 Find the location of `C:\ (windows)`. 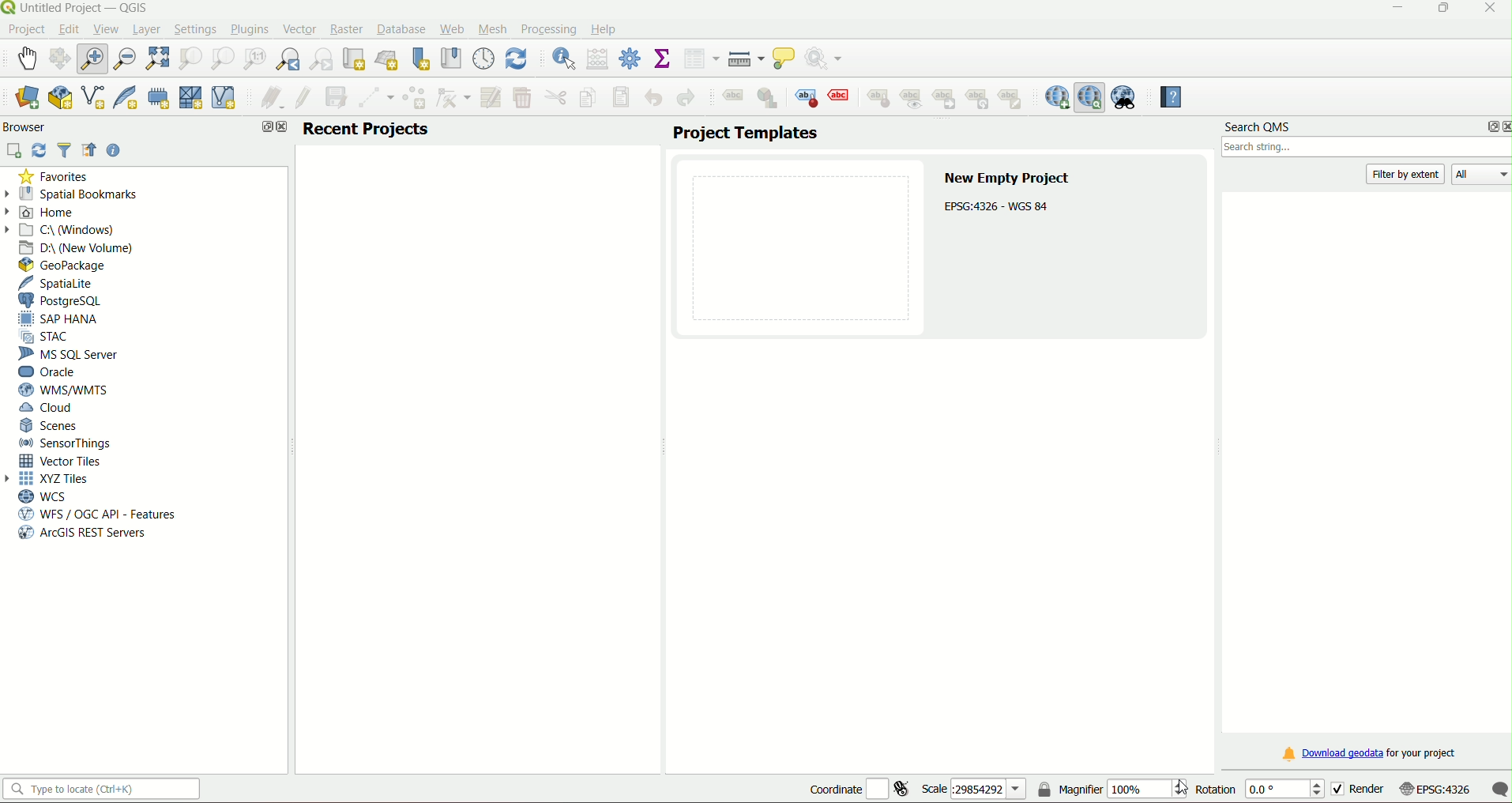

C:\ (windows) is located at coordinates (70, 229).